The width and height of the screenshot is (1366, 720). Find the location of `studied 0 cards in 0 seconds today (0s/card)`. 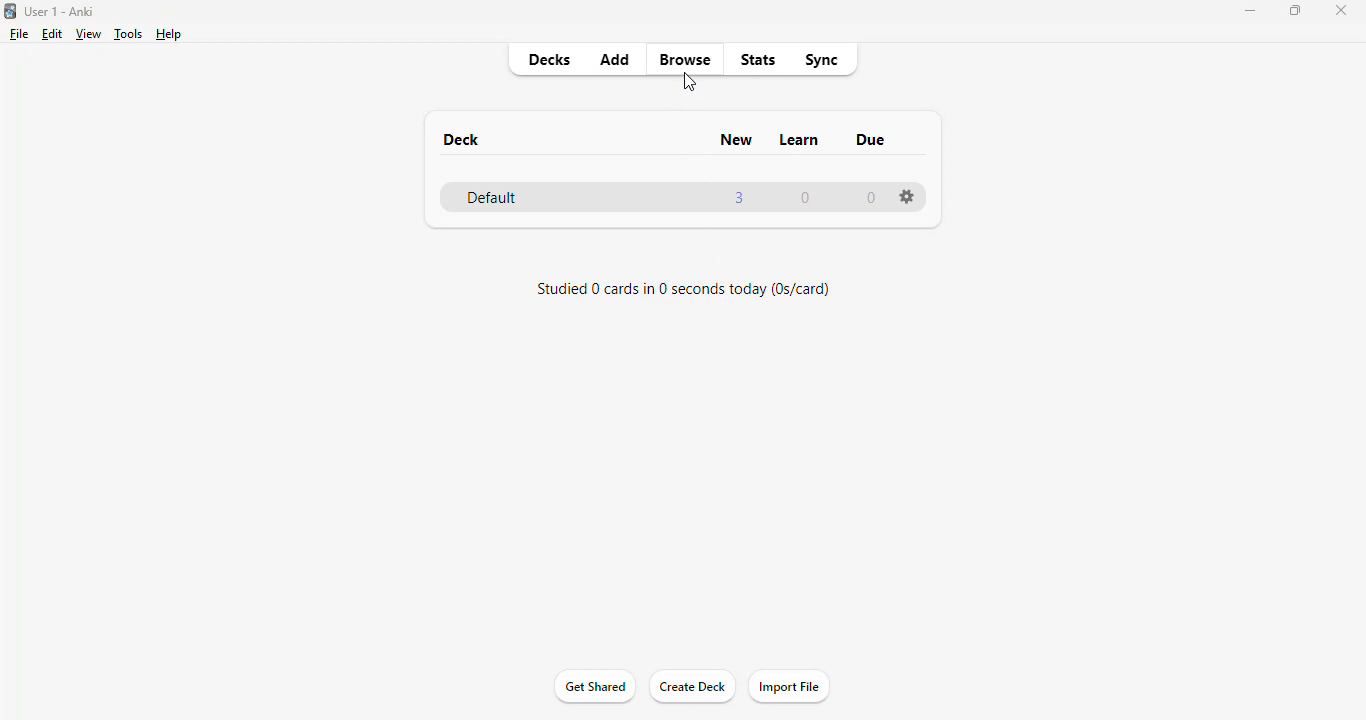

studied 0 cards in 0 seconds today (0s/card) is located at coordinates (684, 291).